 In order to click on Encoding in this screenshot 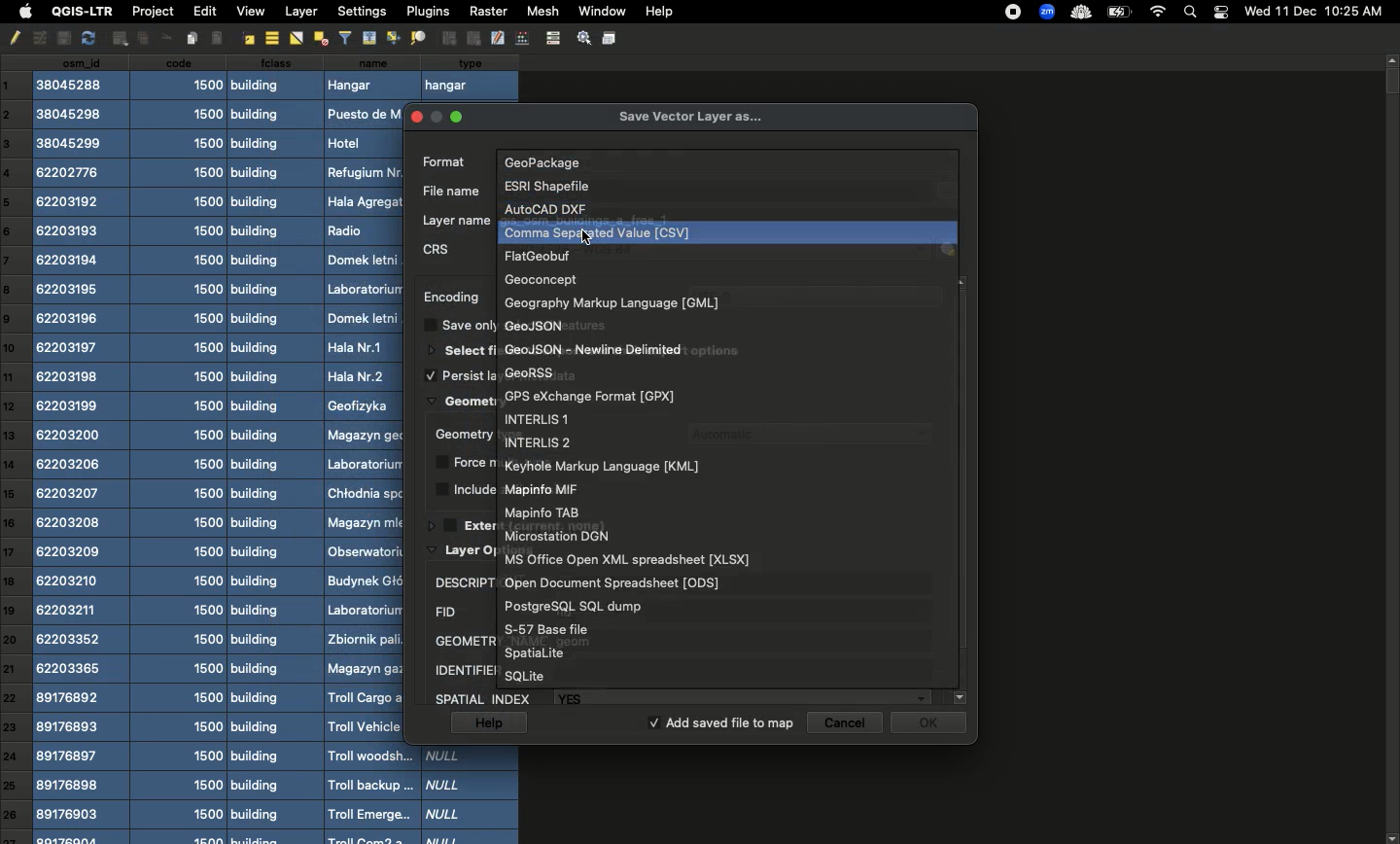, I will do `click(450, 297)`.